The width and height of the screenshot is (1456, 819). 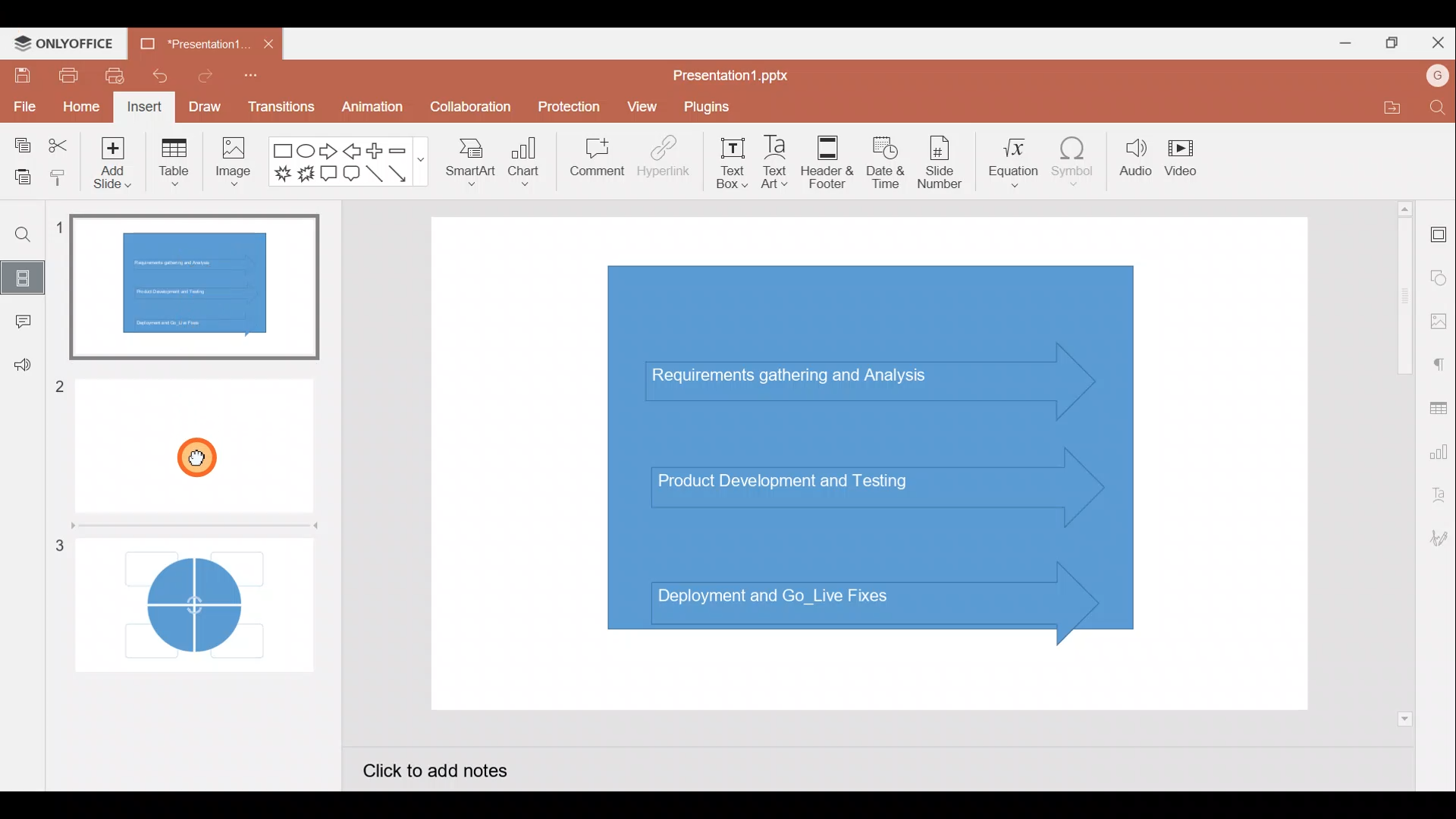 What do you see at coordinates (20, 76) in the screenshot?
I see `Save` at bounding box center [20, 76].